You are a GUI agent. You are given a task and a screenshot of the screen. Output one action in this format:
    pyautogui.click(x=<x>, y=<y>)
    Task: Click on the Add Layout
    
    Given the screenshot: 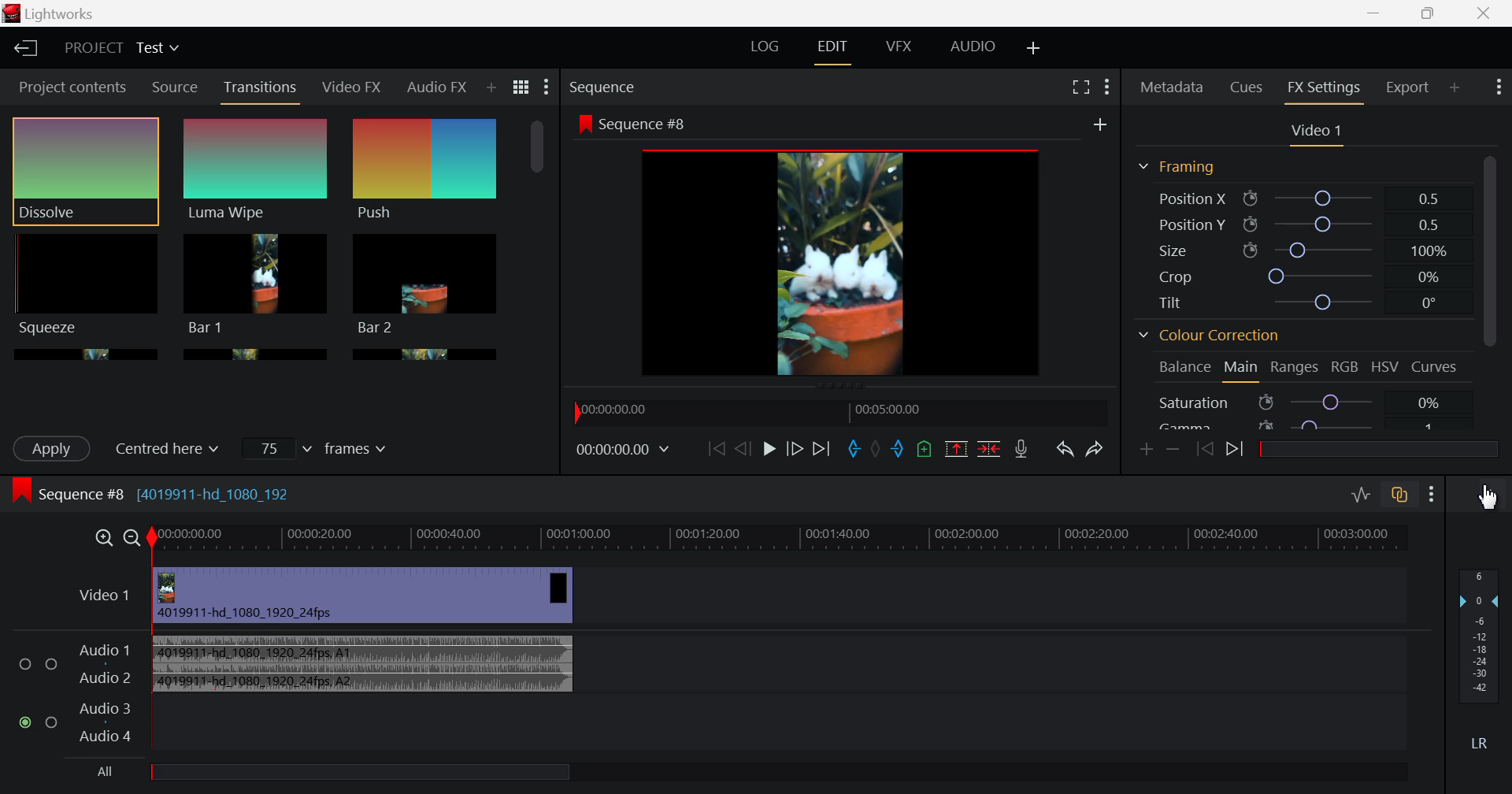 What is the action you would take?
    pyautogui.click(x=1032, y=47)
    